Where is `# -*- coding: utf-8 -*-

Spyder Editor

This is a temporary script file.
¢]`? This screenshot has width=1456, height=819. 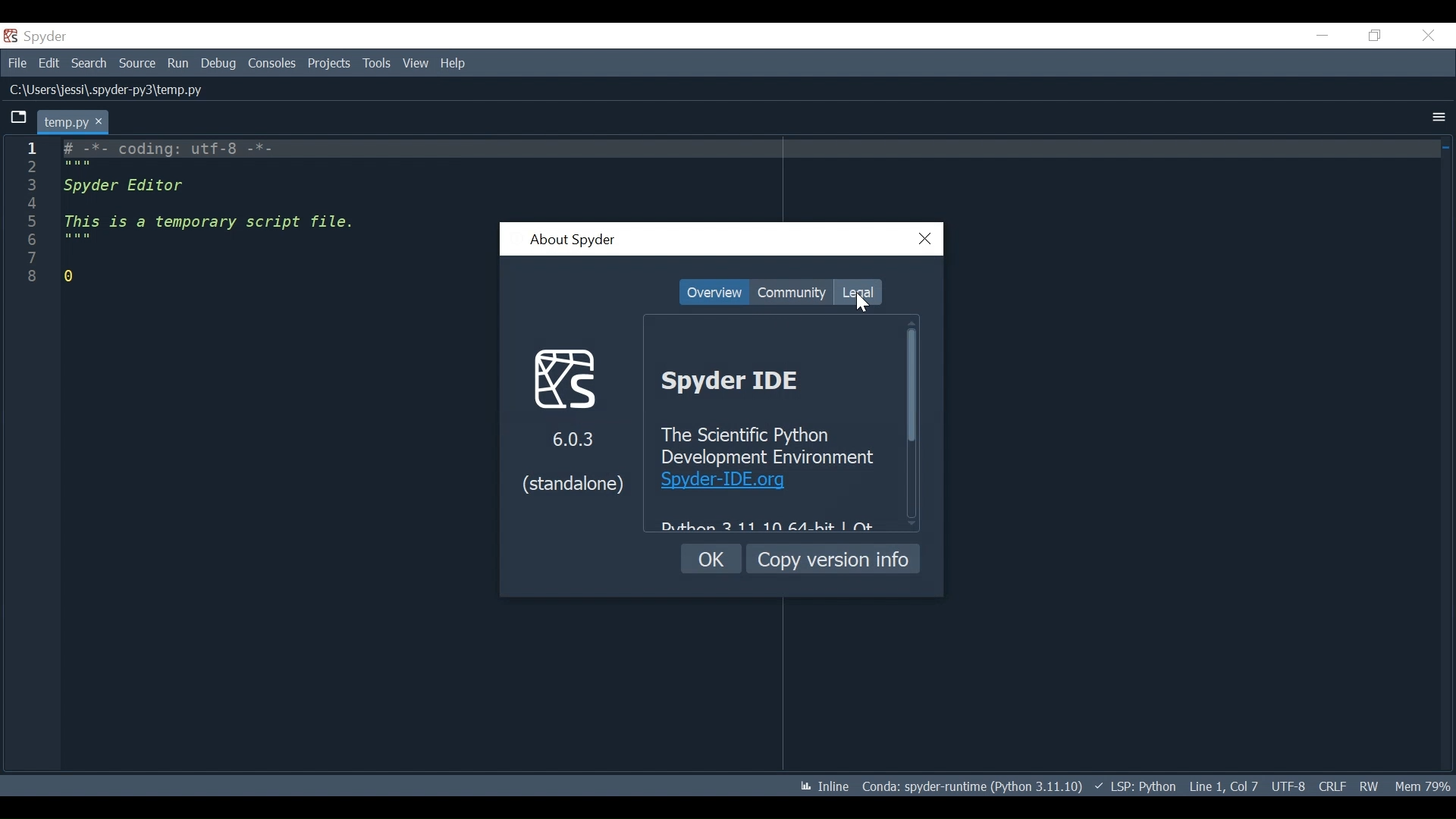
# -*- coding: utf-8 -*-

Spyder Editor

This is a temporary script file.
¢] is located at coordinates (212, 218).